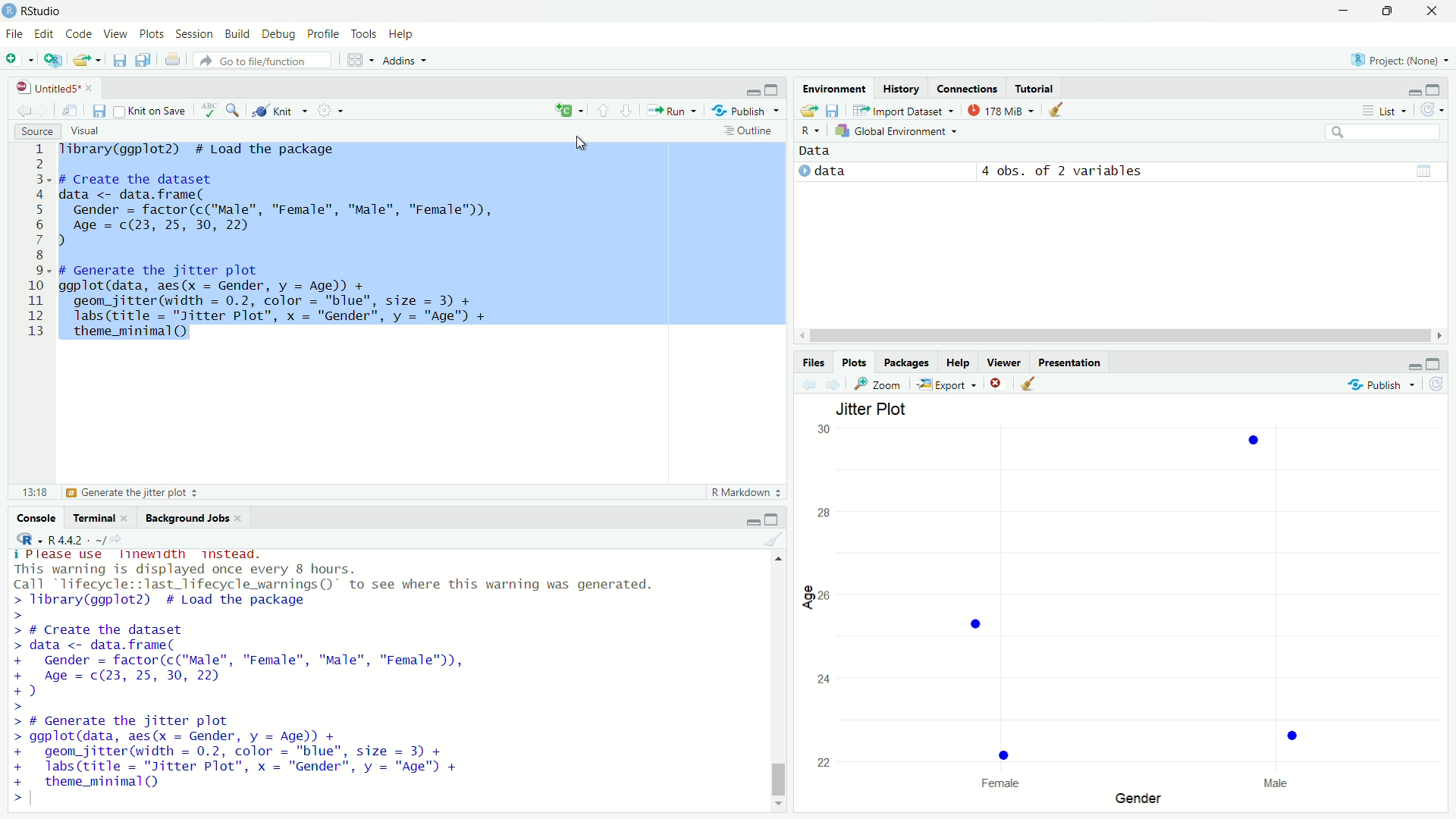  I want to click on create a project, so click(54, 58).